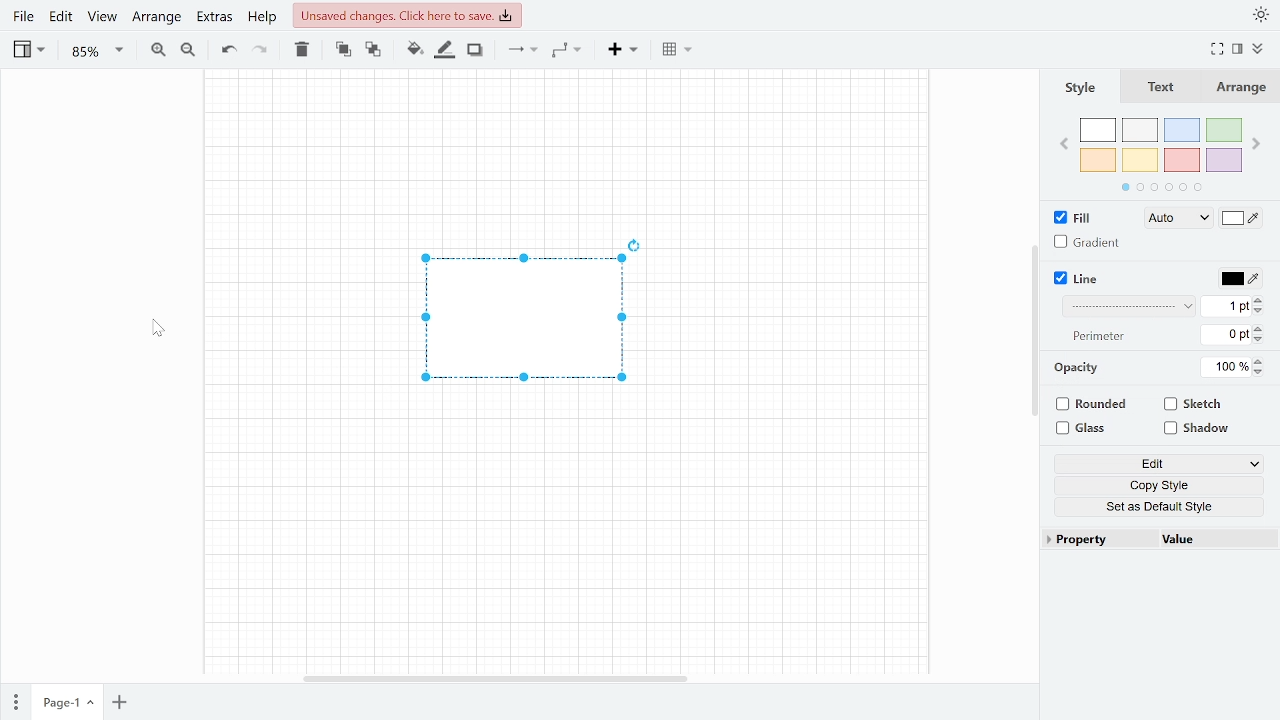 This screenshot has width=1280, height=720. What do you see at coordinates (521, 333) in the screenshot?
I see `Current shape selected` at bounding box center [521, 333].